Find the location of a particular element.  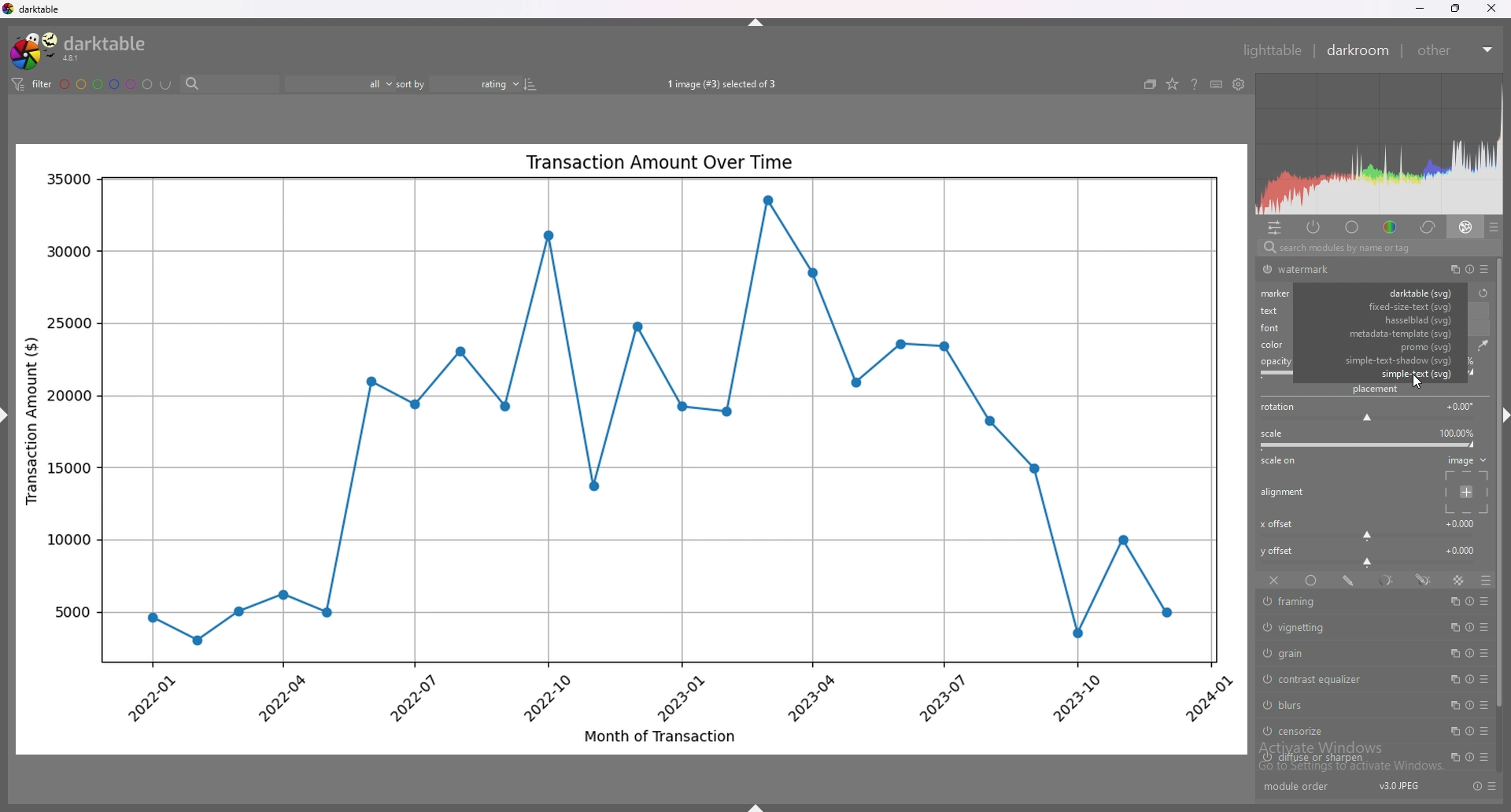

contrast equalizer is located at coordinates (1343, 679).